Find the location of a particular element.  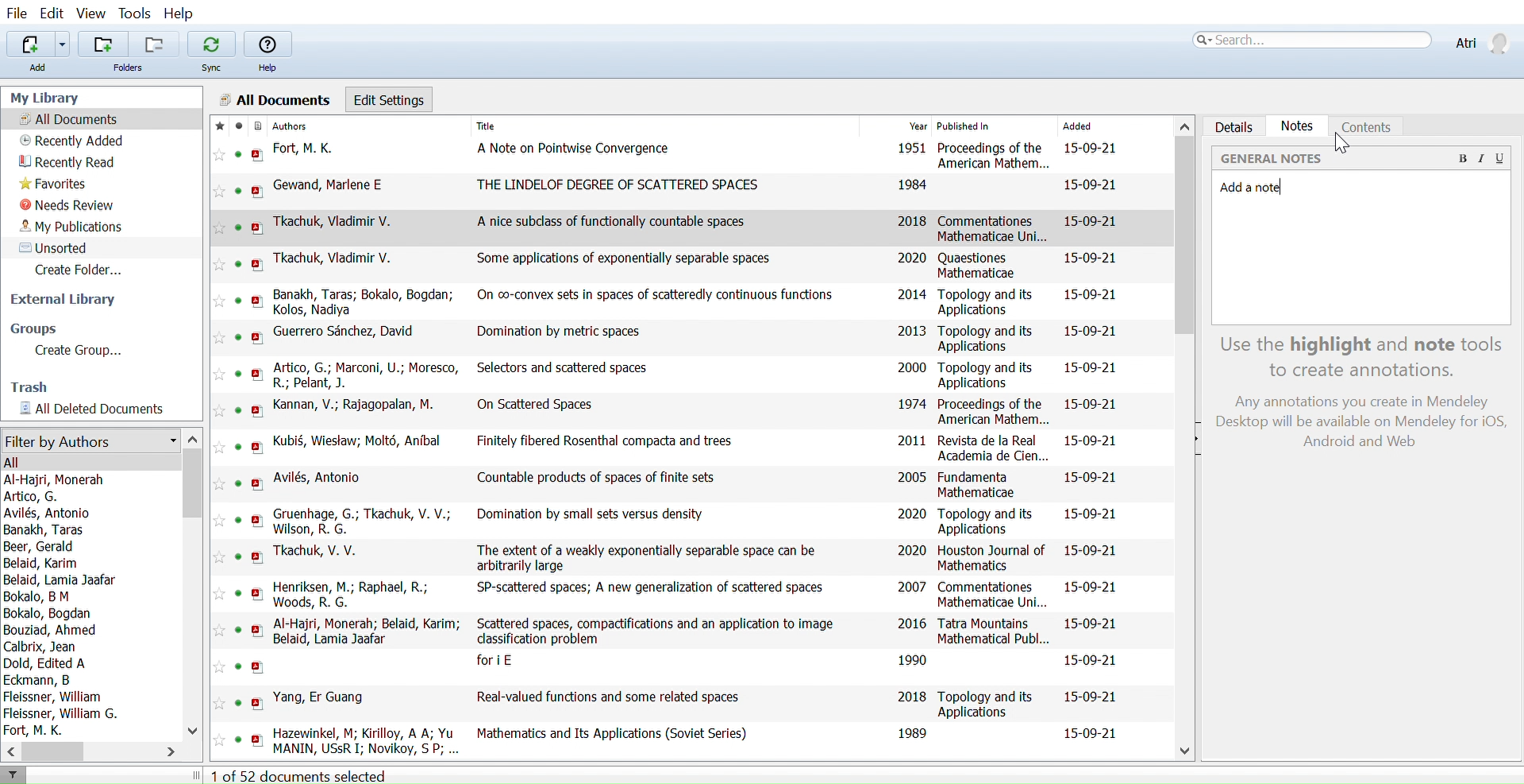

Create Group is located at coordinates (92, 352).